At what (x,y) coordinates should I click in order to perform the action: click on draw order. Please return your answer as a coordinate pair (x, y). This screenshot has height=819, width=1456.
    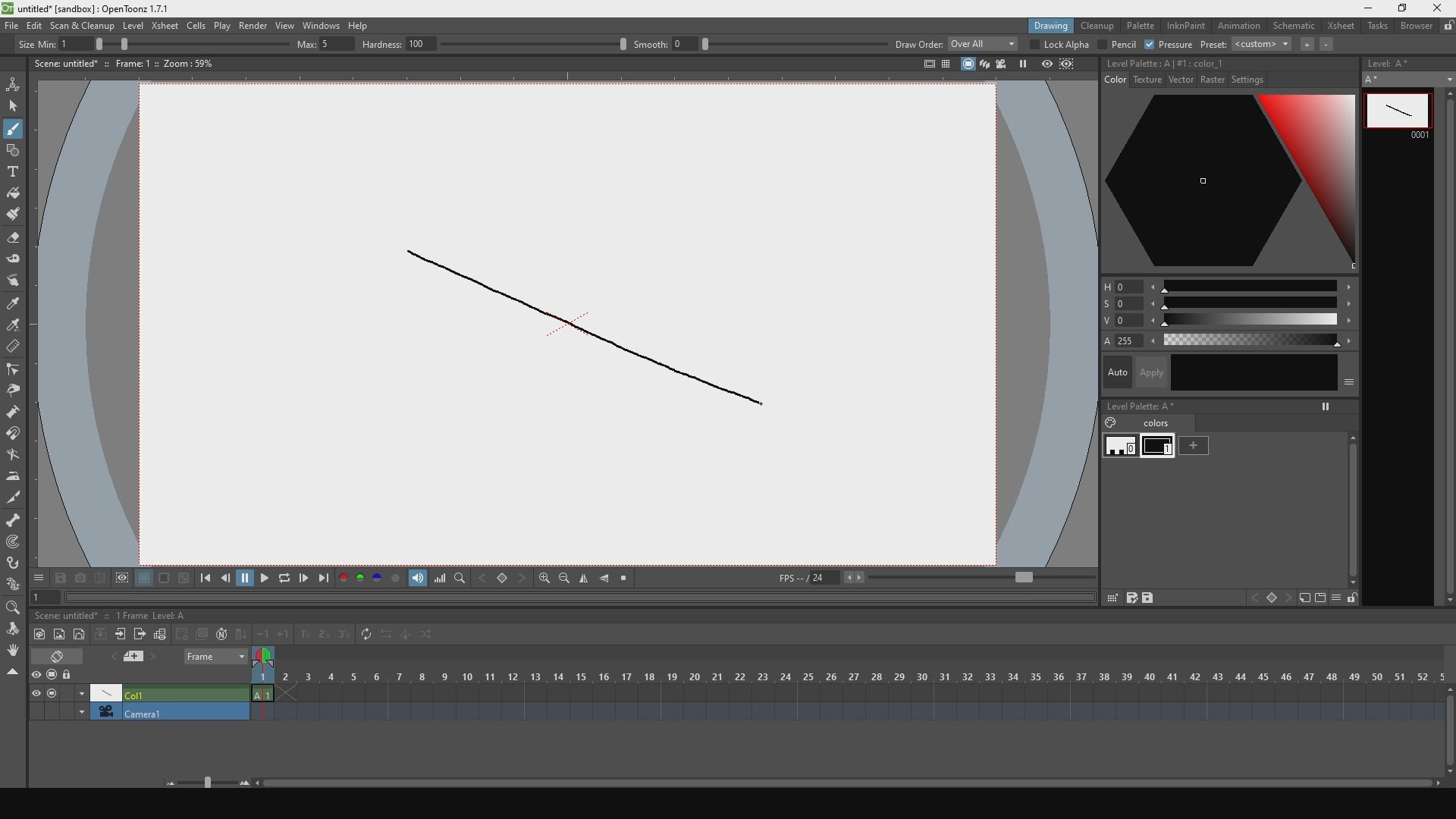
    Looking at the image, I should click on (916, 44).